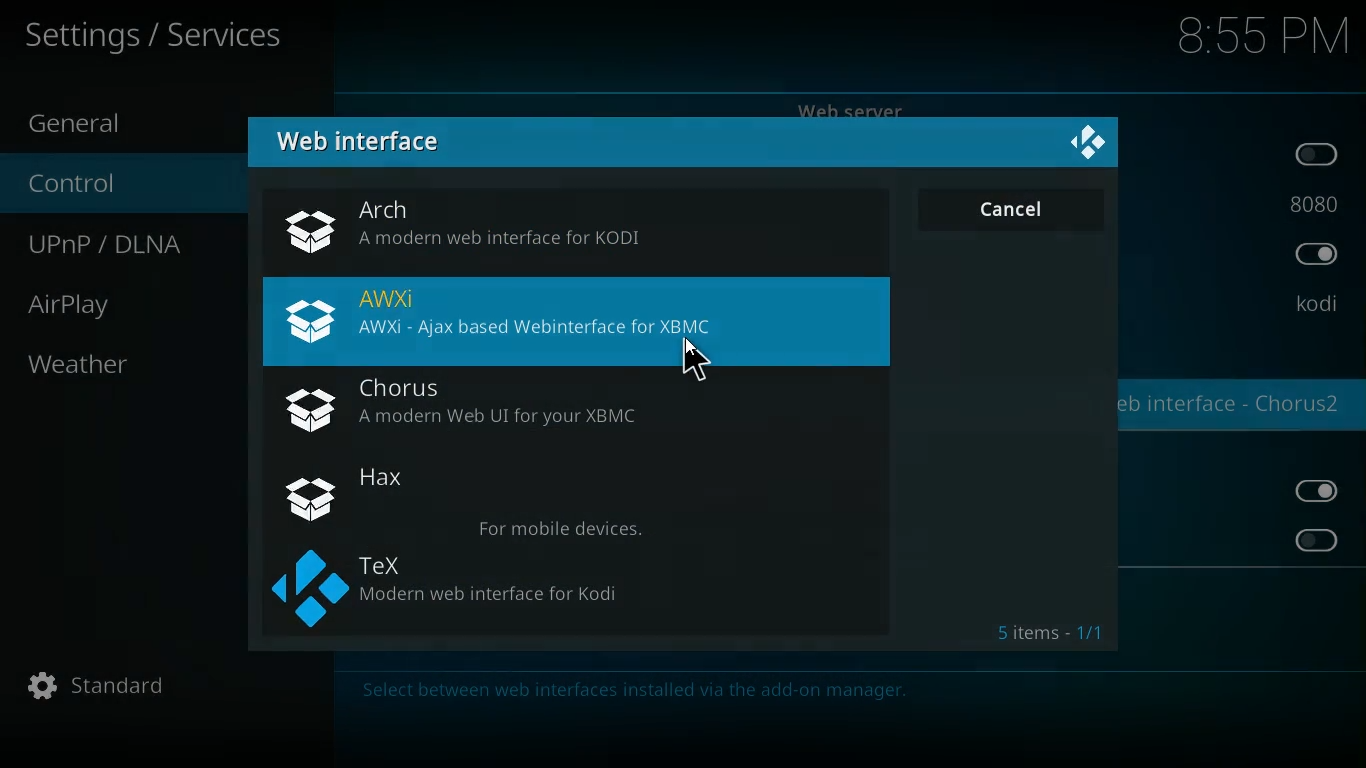 The height and width of the screenshot is (768, 1366). I want to click on off, so click(1319, 155).